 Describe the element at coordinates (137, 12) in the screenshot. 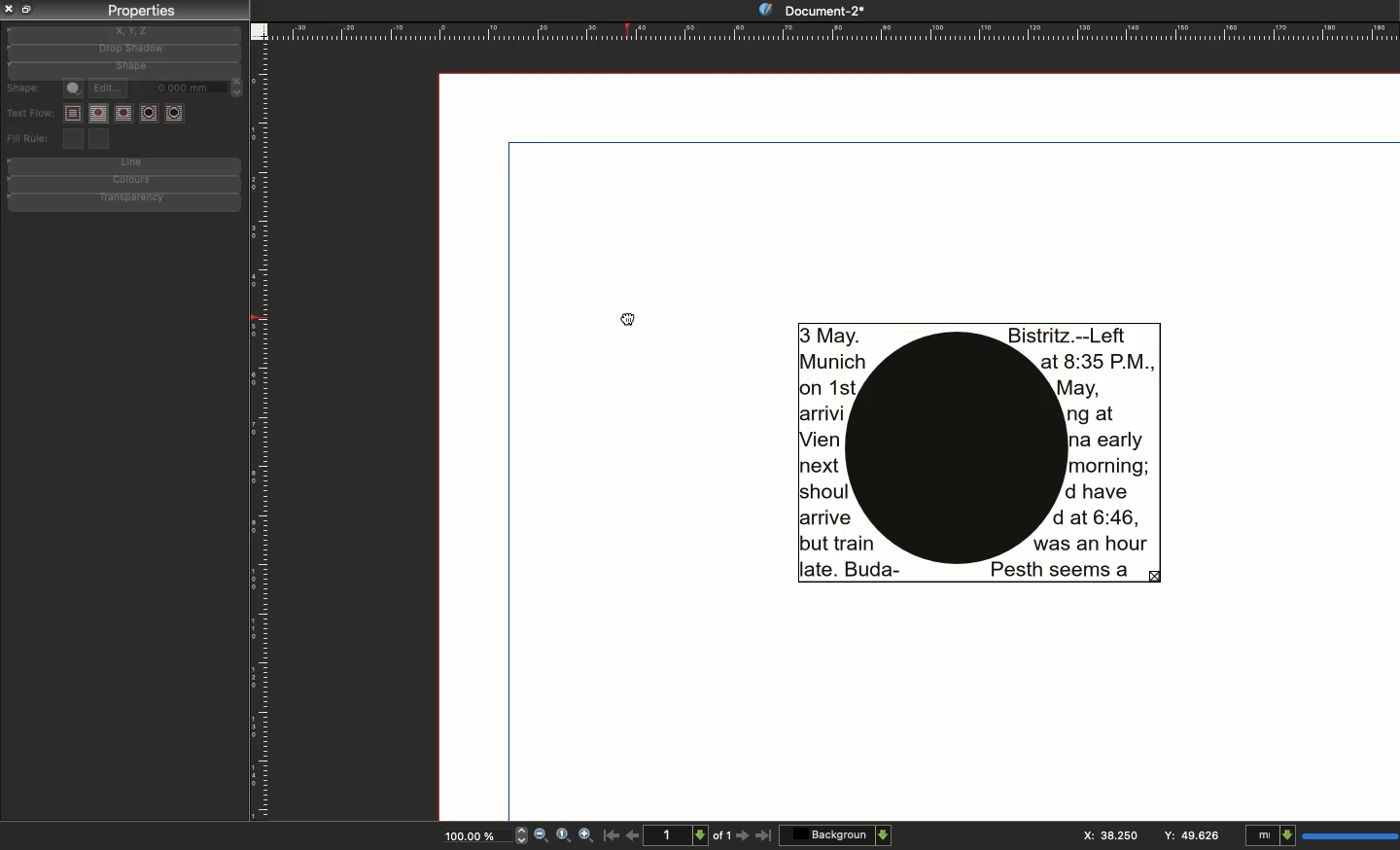

I see `Properties` at that location.